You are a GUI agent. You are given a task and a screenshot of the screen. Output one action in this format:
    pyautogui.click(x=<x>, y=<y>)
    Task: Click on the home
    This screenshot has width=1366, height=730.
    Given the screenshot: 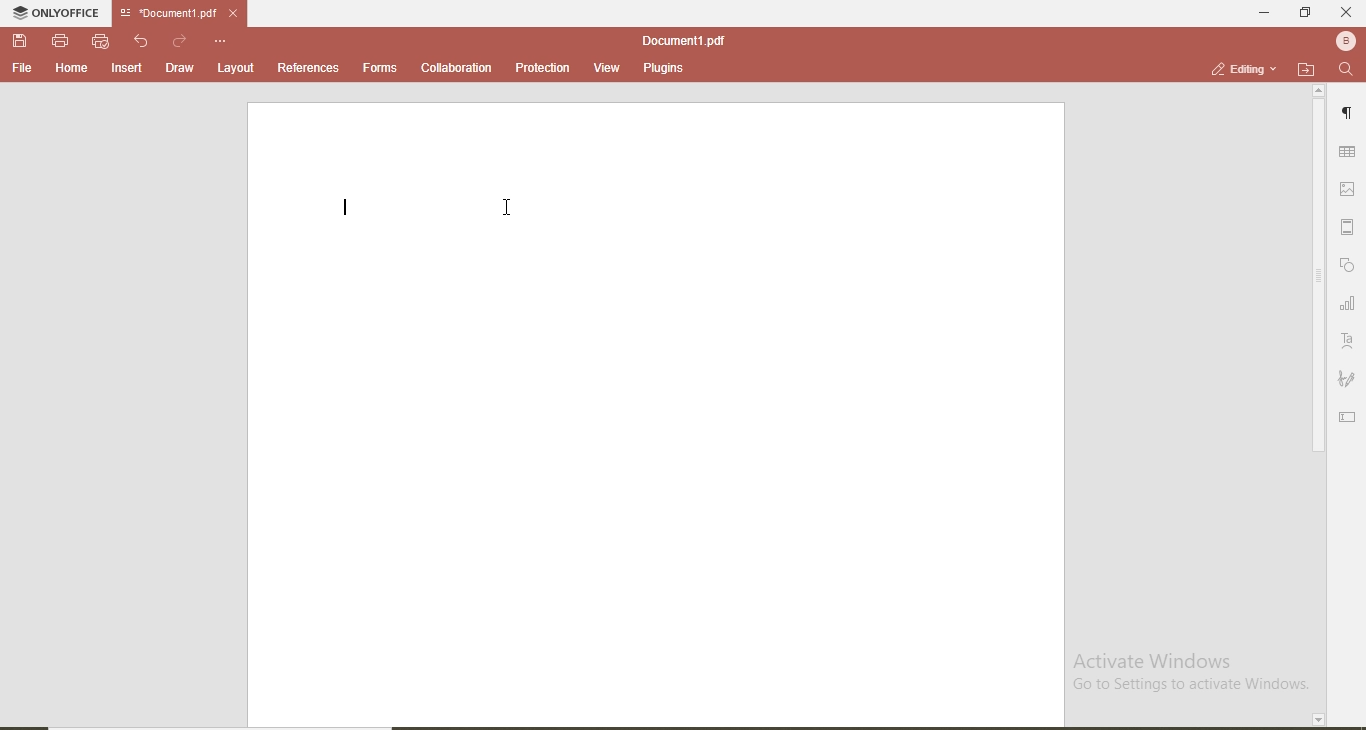 What is the action you would take?
    pyautogui.click(x=73, y=69)
    